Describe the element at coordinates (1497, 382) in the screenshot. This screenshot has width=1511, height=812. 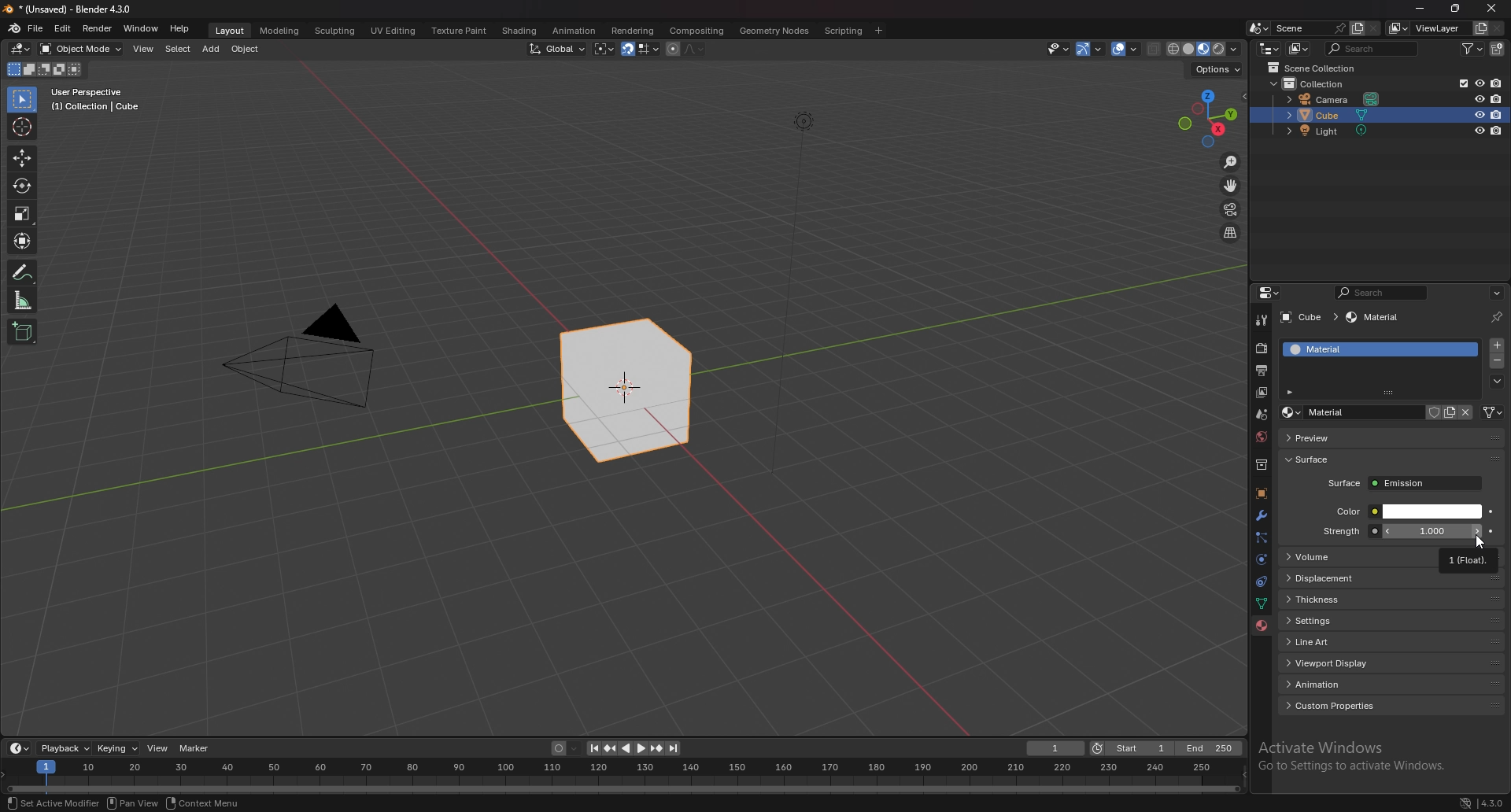
I see `dropdown` at that location.